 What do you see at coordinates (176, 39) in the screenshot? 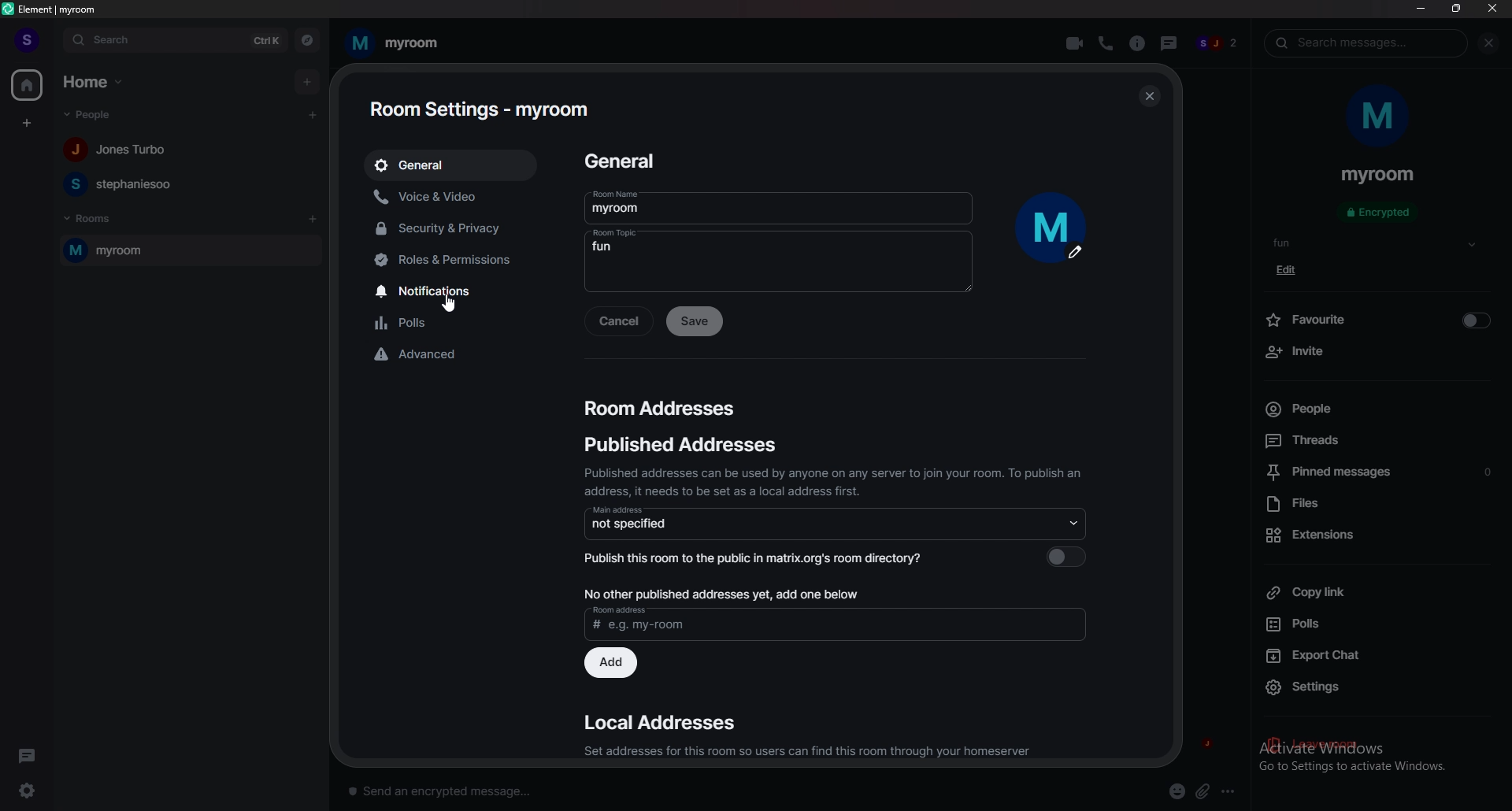
I see `search bar` at bounding box center [176, 39].